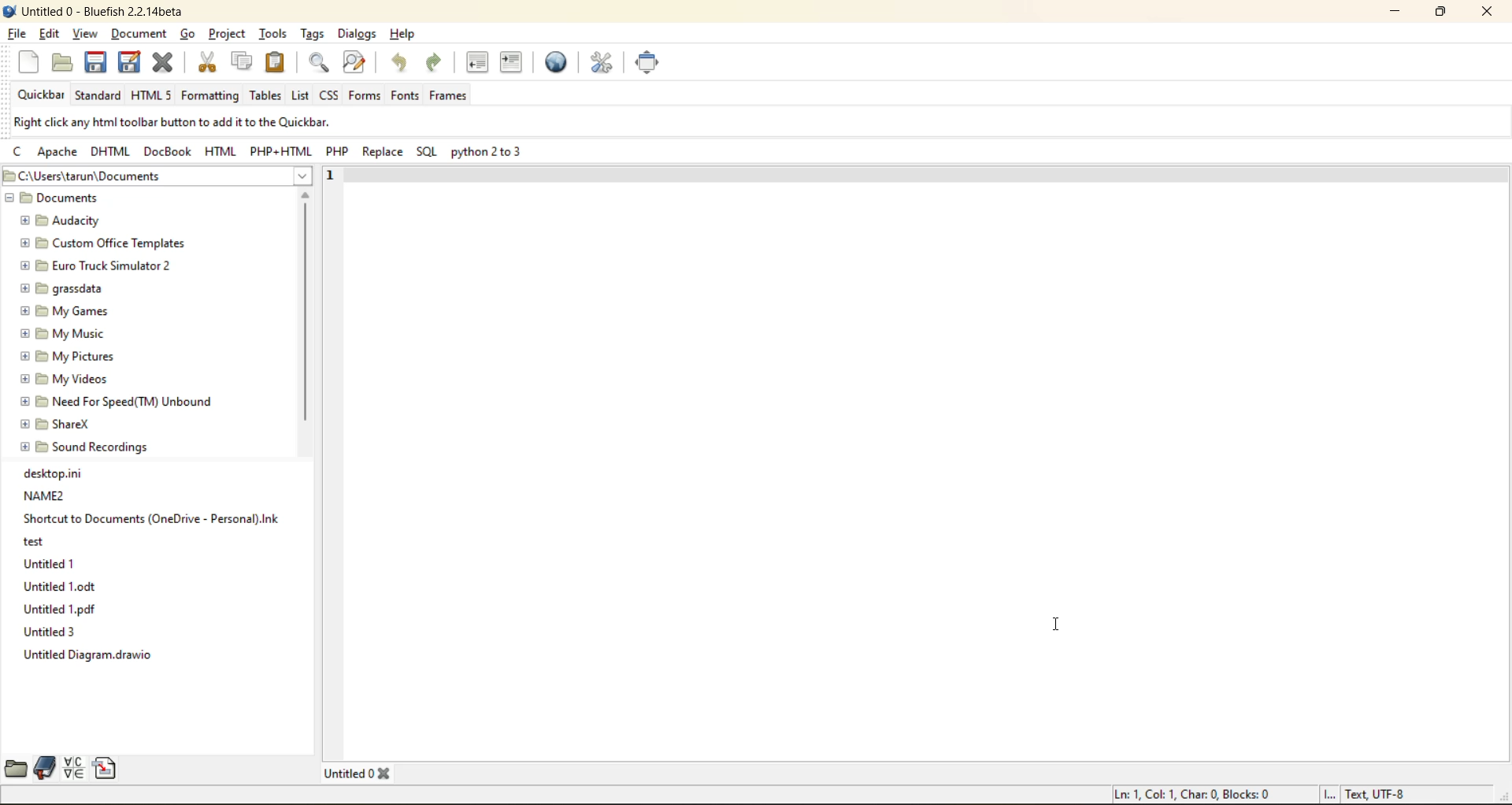 Image resolution: width=1512 pixels, height=805 pixels. Describe the element at coordinates (1440, 14) in the screenshot. I see `maximize` at that location.